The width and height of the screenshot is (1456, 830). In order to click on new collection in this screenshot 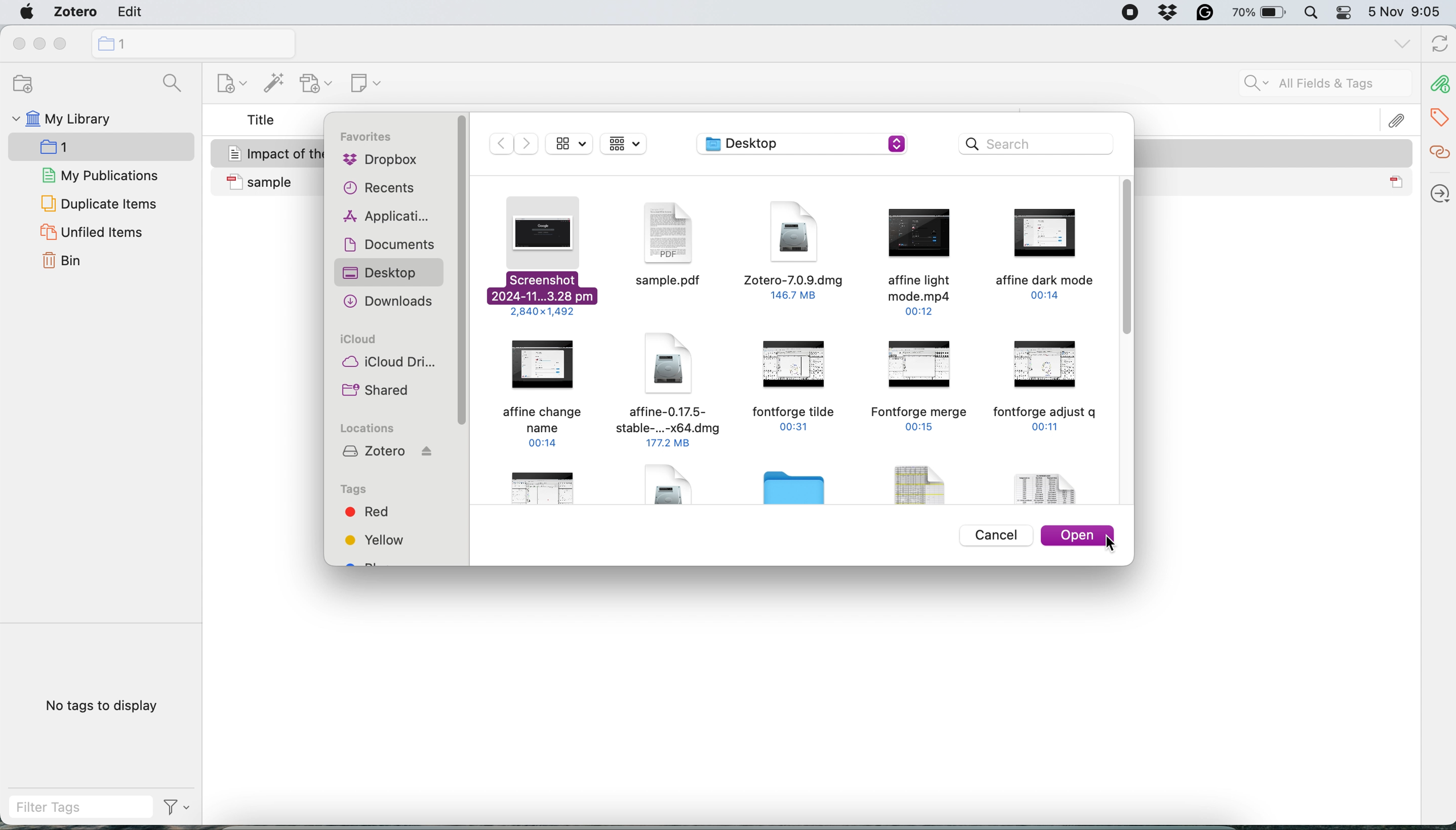, I will do `click(18, 84)`.